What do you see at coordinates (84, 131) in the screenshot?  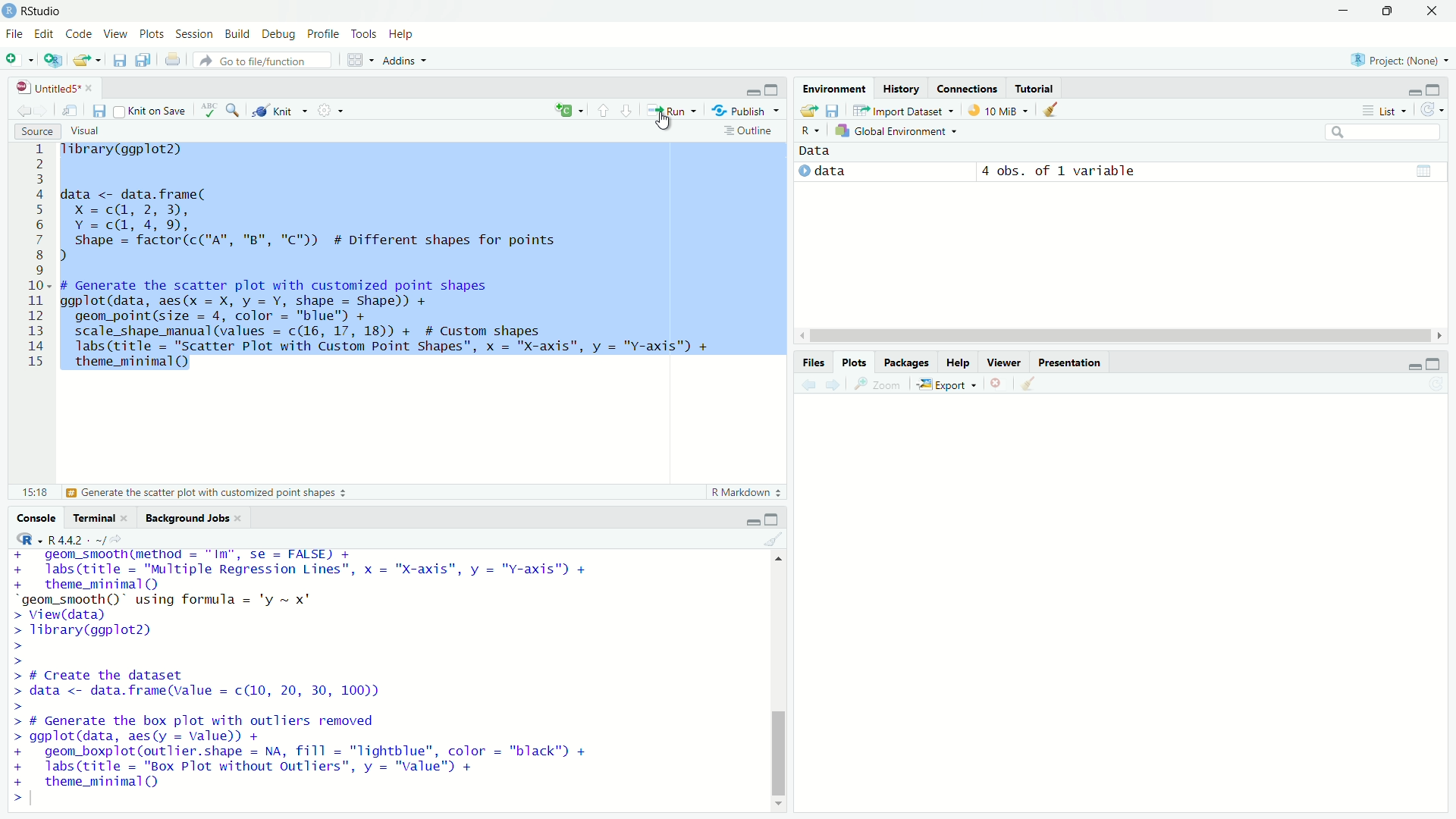 I see `Visual` at bounding box center [84, 131].